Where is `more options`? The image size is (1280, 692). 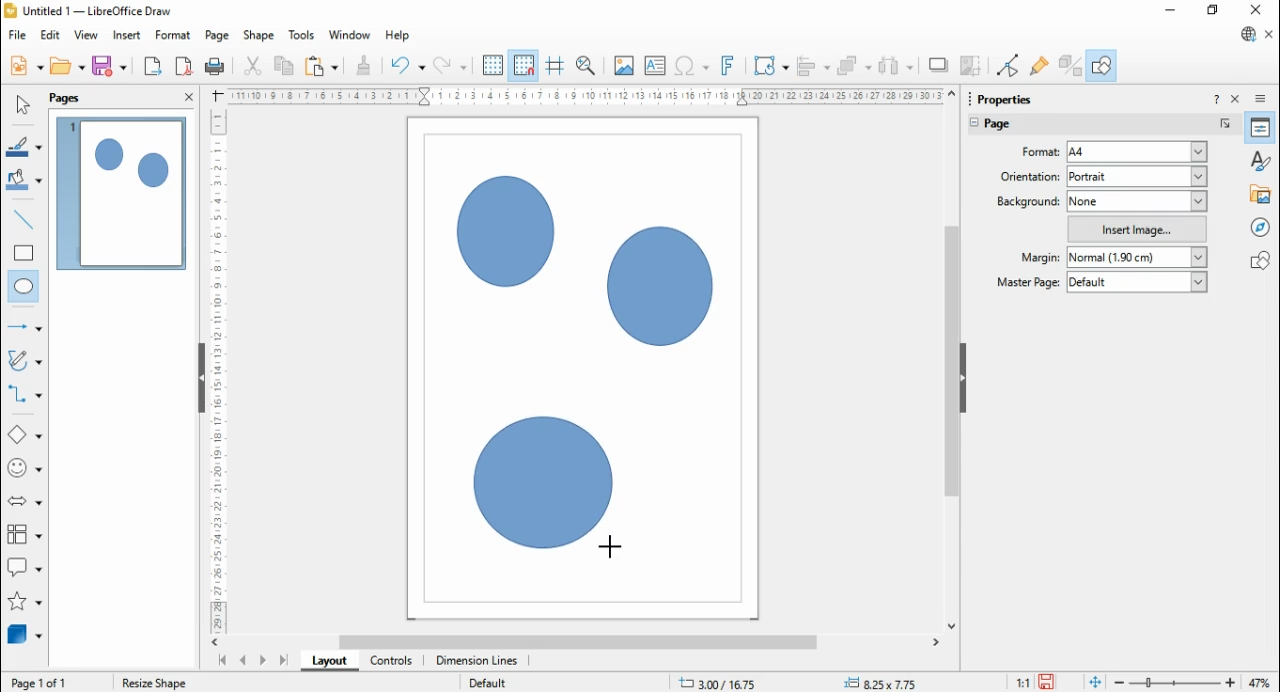 more options is located at coordinates (1226, 124).